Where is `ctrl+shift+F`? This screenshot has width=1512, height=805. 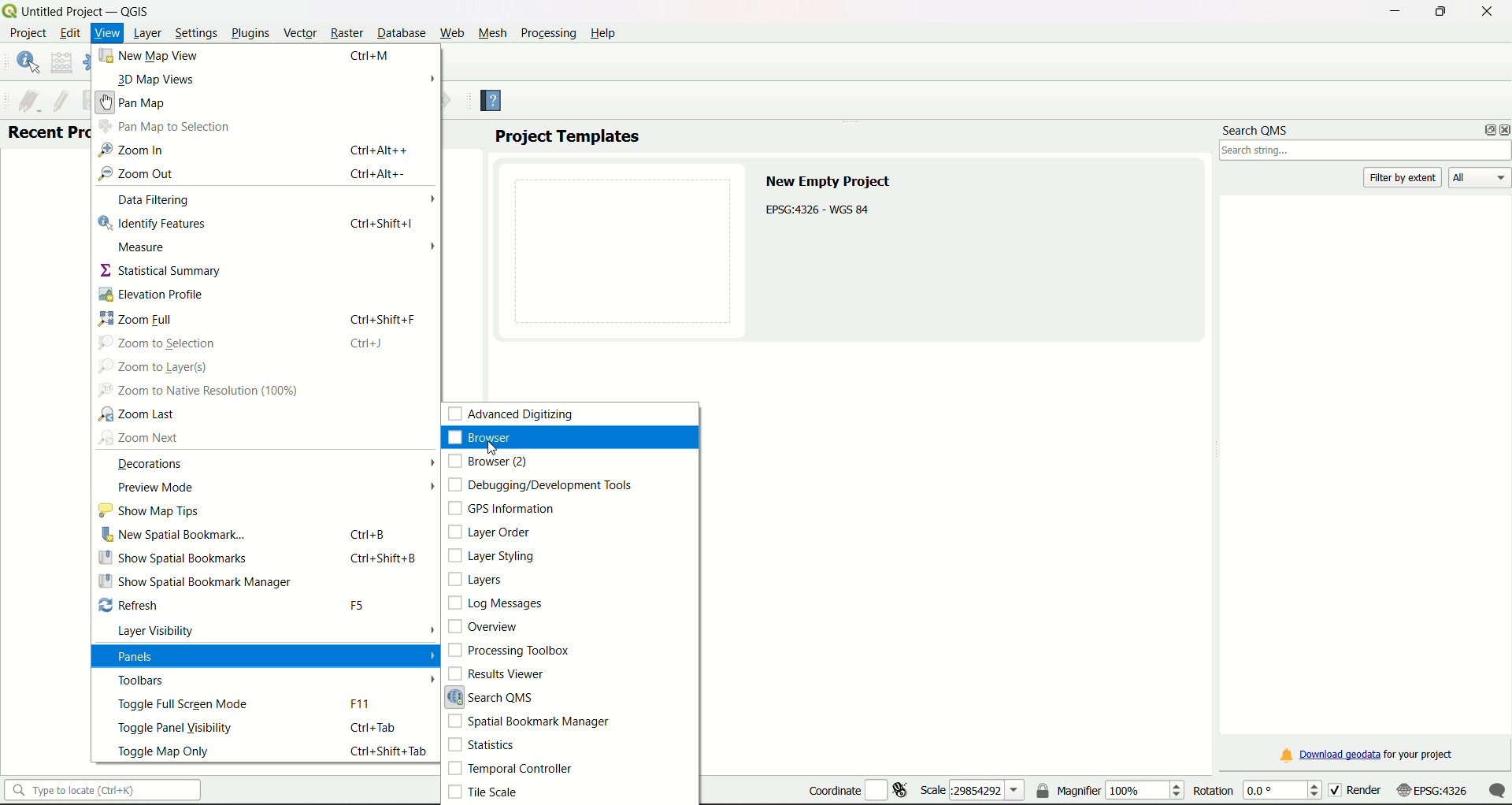 ctrl+shift+F is located at coordinates (385, 318).